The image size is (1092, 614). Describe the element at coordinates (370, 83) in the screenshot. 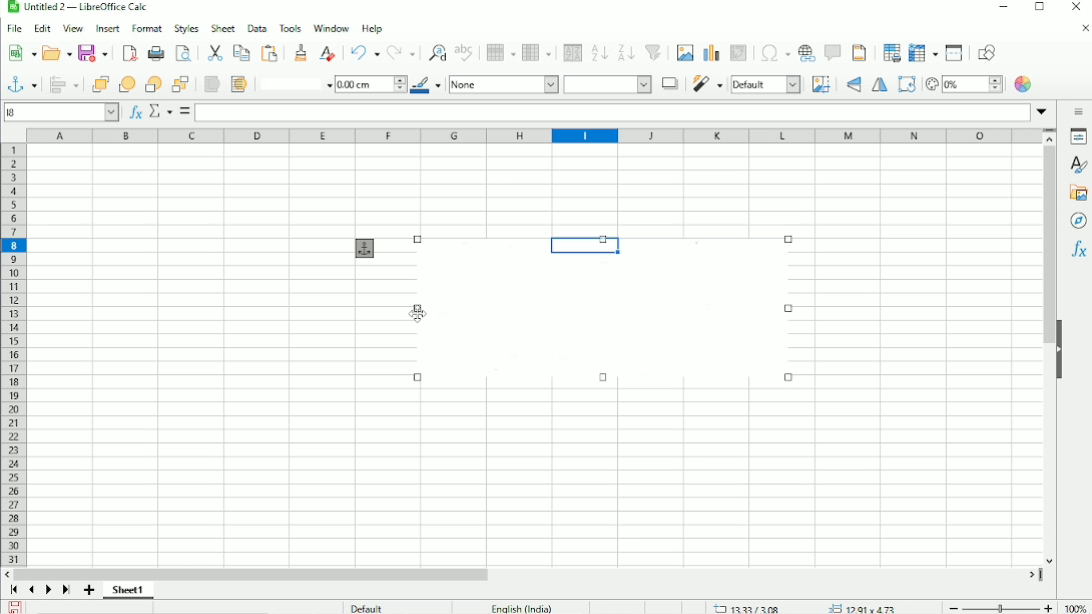

I see `Line thickness` at that location.